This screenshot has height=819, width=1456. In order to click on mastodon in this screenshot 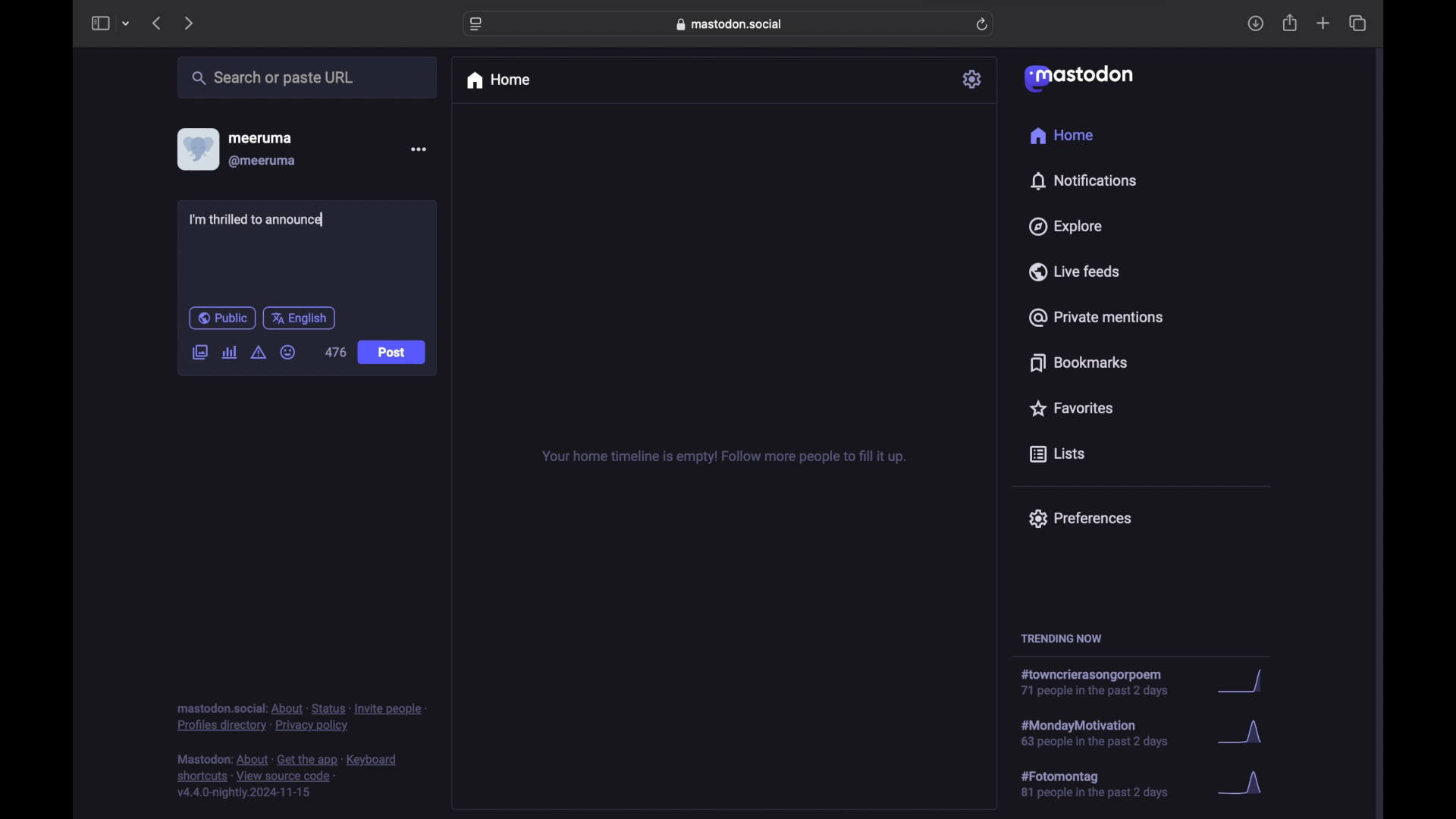, I will do `click(1079, 79)`.